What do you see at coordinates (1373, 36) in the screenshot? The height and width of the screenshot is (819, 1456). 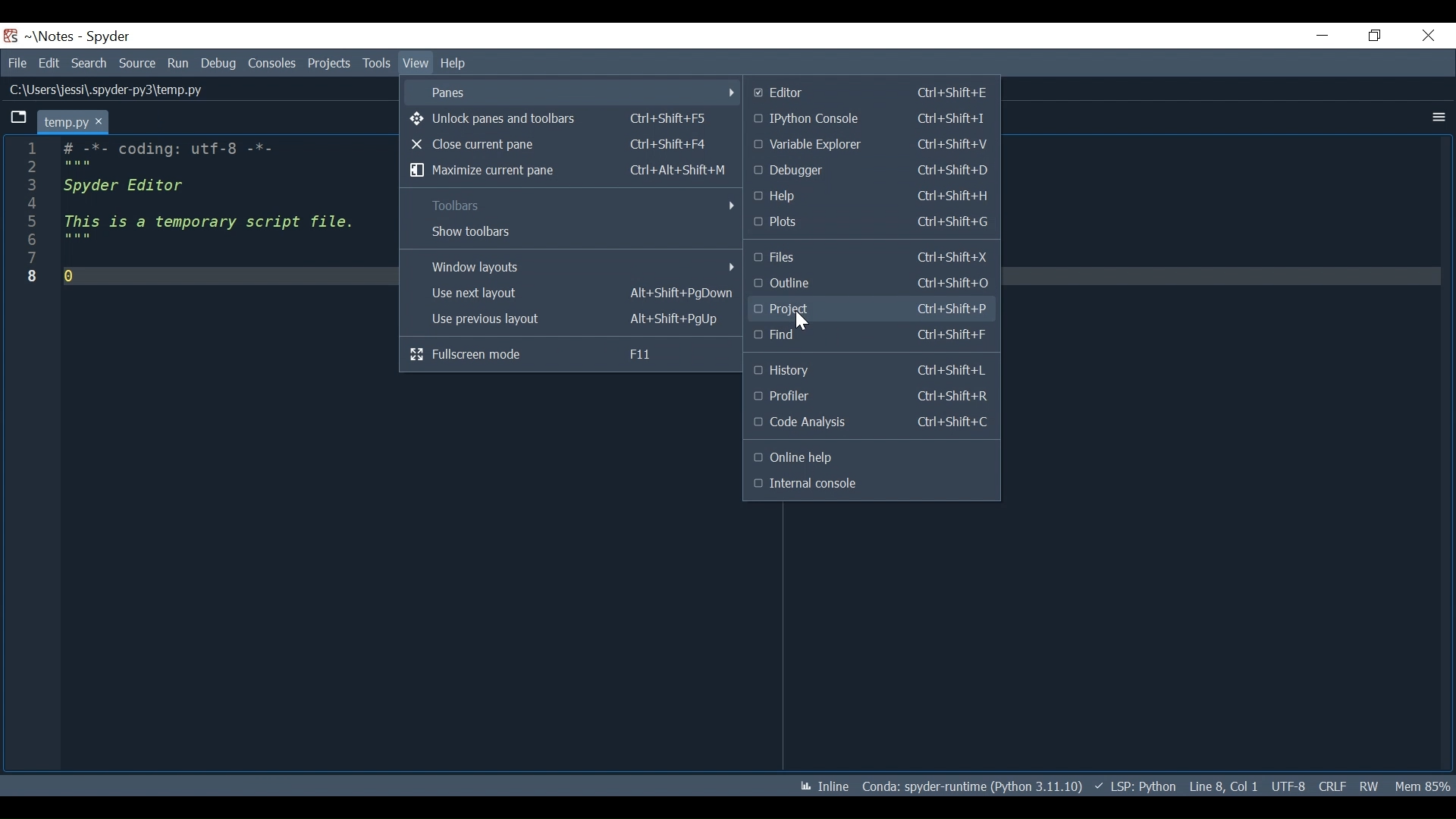 I see `Restore` at bounding box center [1373, 36].